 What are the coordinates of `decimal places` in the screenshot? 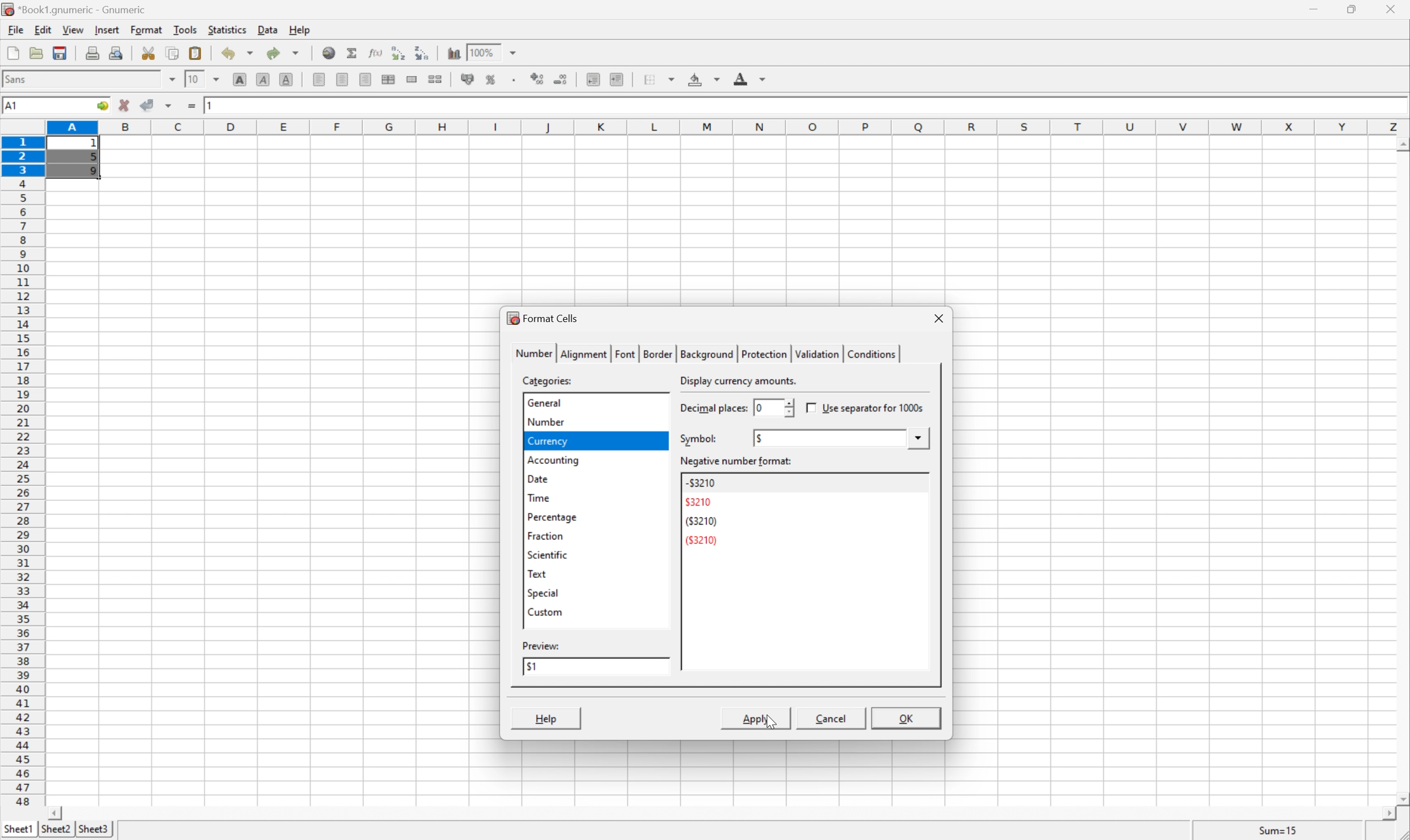 It's located at (713, 409).